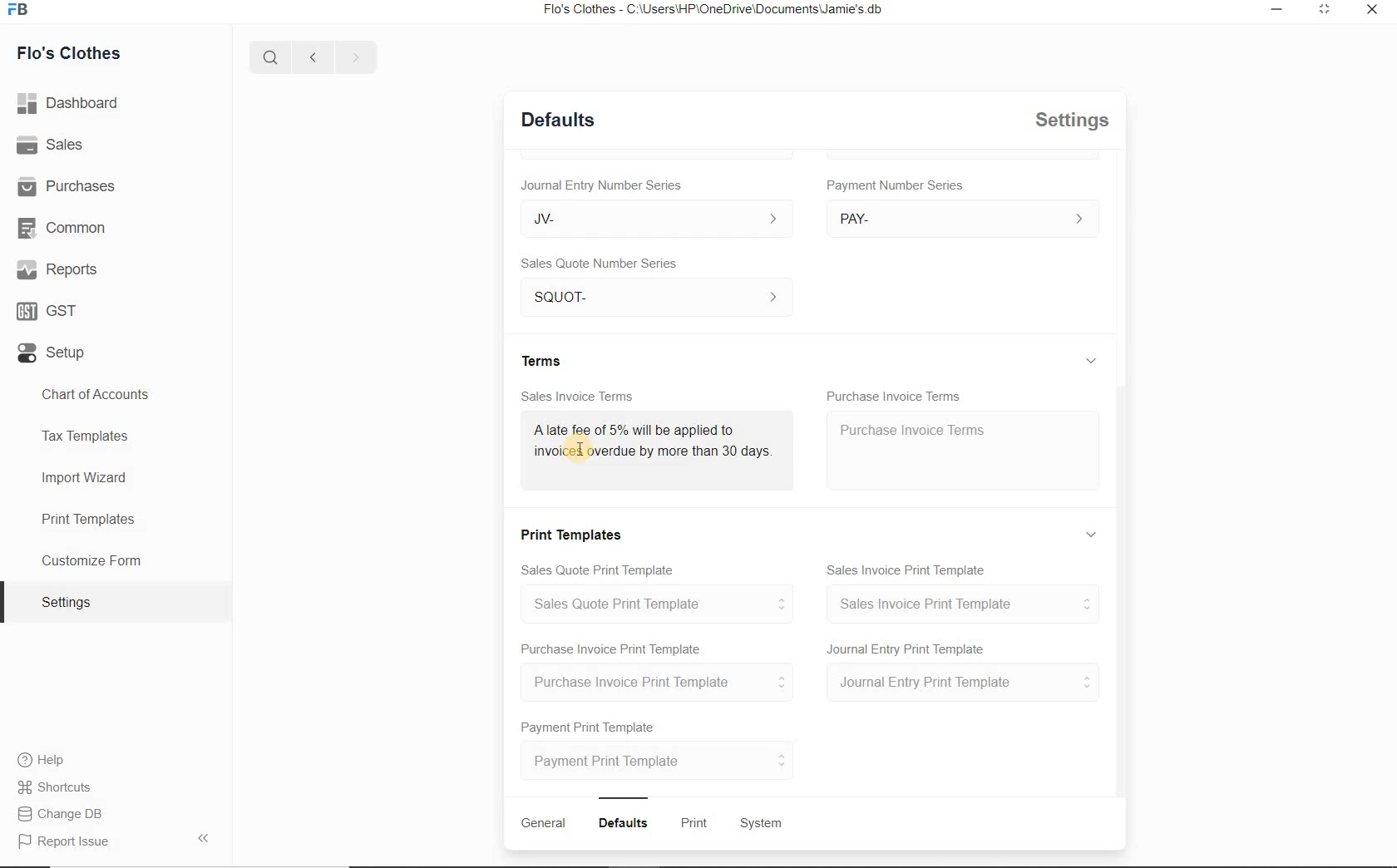  I want to click on Import Wizard, so click(86, 481).